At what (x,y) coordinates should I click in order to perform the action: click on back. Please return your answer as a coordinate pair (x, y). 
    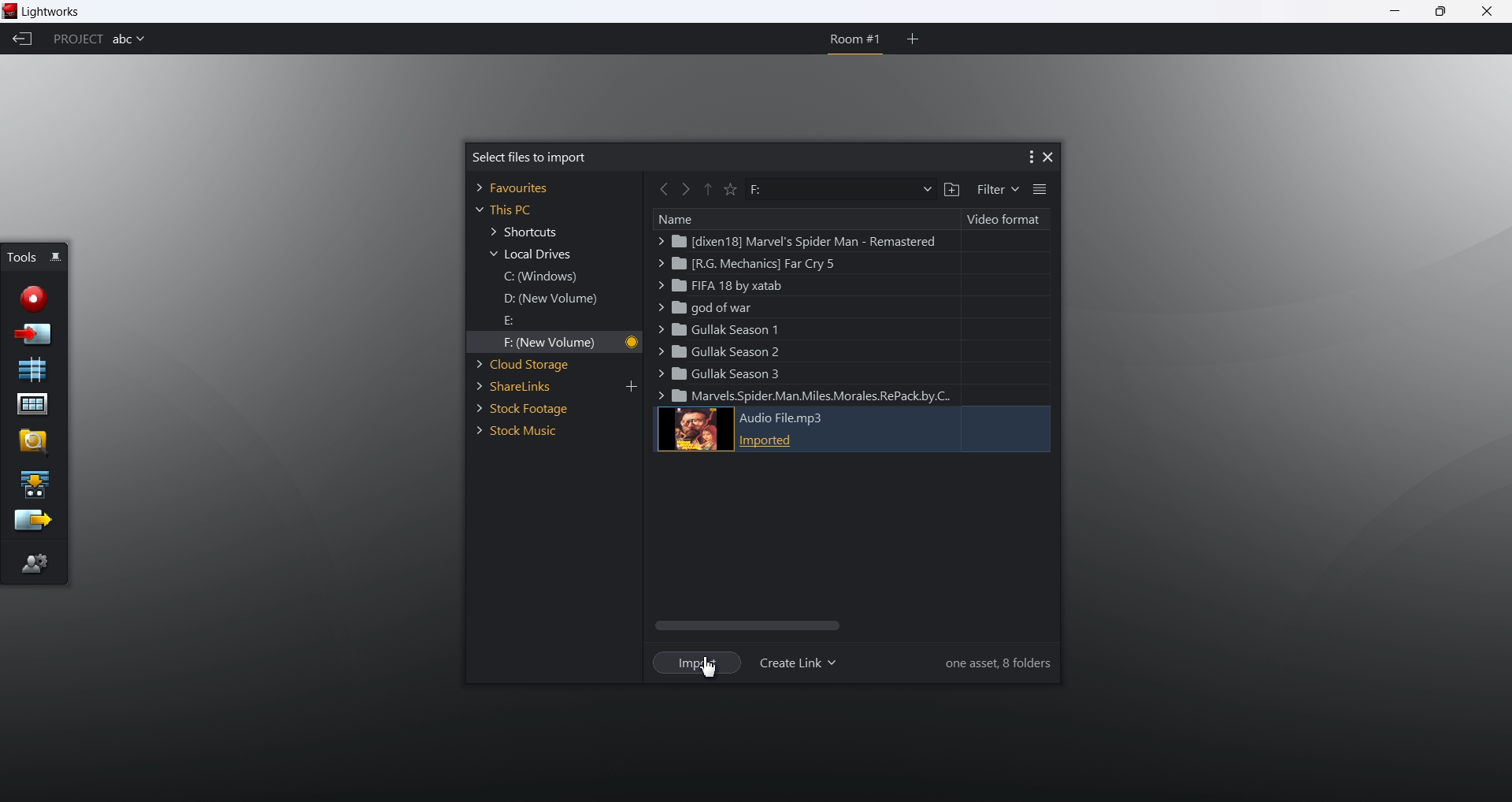
    Looking at the image, I should click on (660, 189).